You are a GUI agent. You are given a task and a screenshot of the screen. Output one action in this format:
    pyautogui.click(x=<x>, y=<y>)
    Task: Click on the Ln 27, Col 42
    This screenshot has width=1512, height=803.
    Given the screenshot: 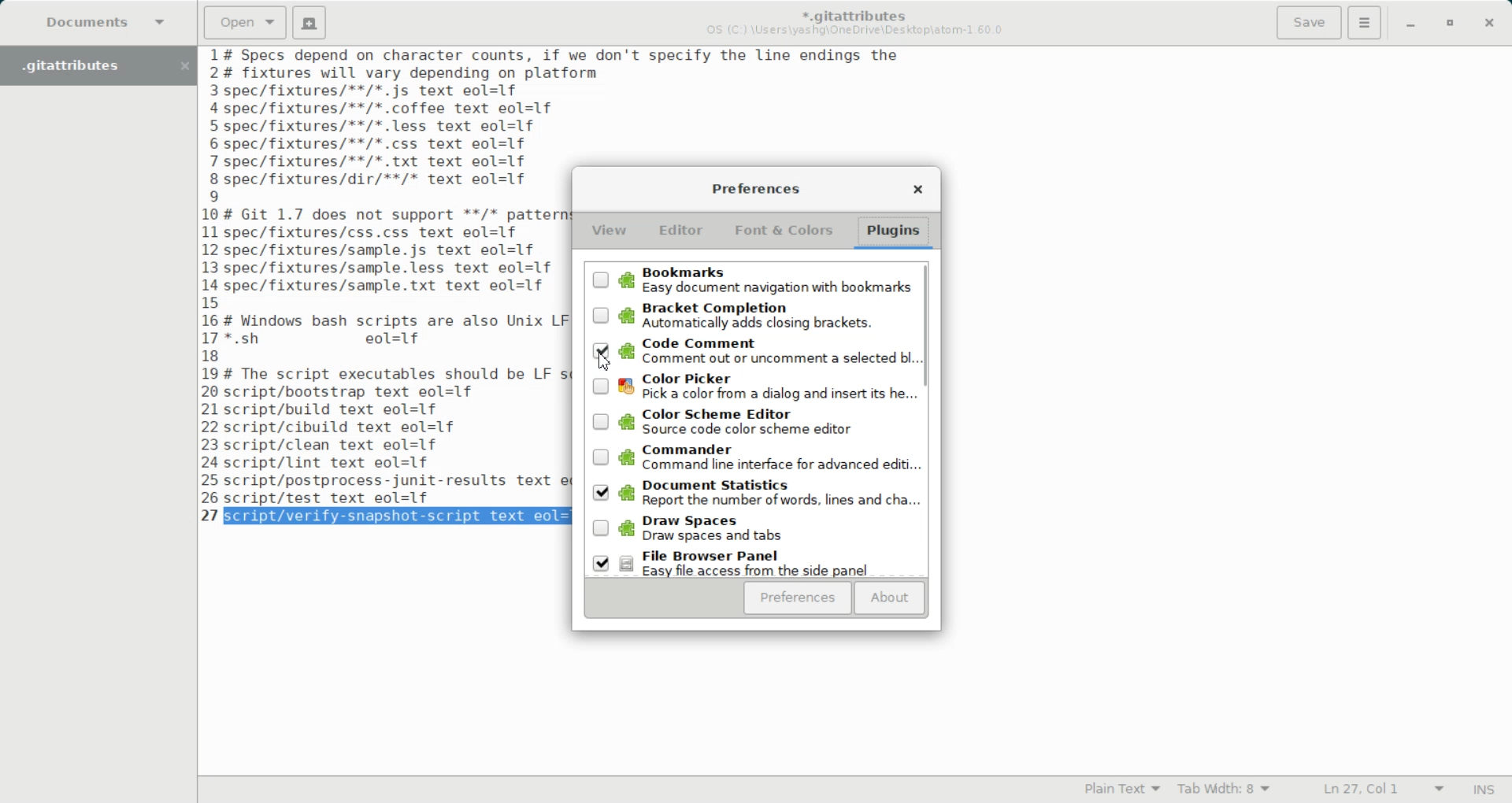 What is the action you would take?
    pyautogui.click(x=1377, y=790)
    